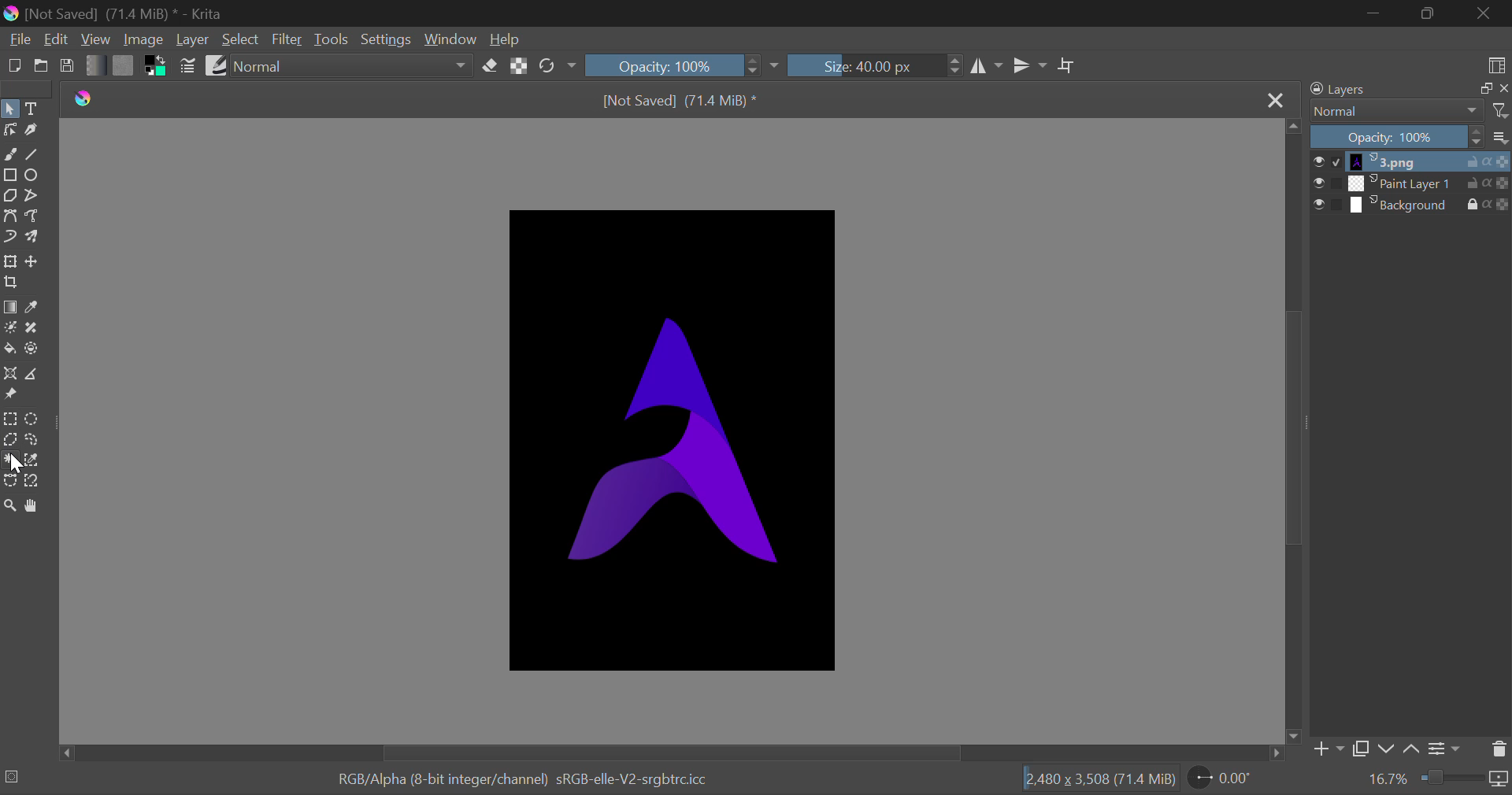 The height and width of the screenshot is (795, 1512). What do you see at coordinates (504, 39) in the screenshot?
I see `Help` at bounding box center [504, 39].